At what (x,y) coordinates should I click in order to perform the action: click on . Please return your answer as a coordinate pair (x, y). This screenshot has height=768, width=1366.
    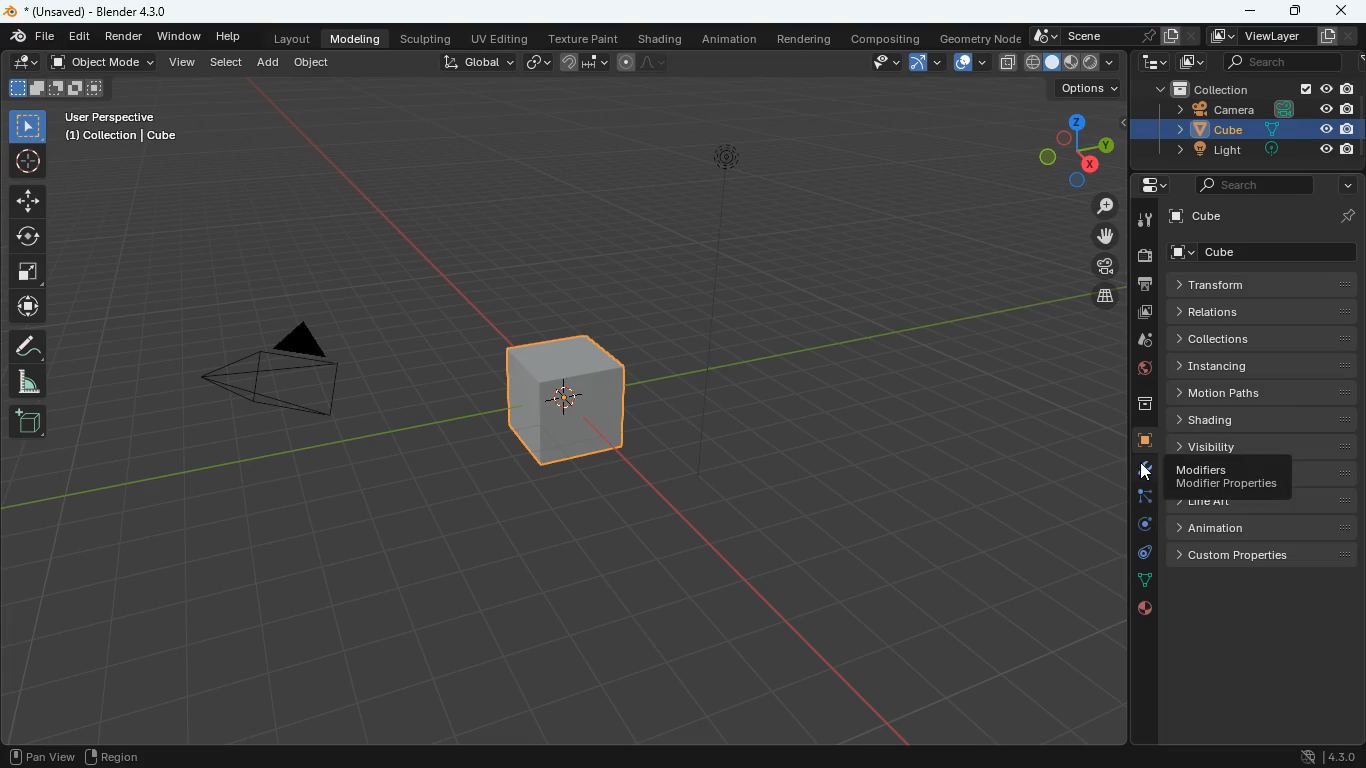
    Looking at the image, I should click on (1324, 129).